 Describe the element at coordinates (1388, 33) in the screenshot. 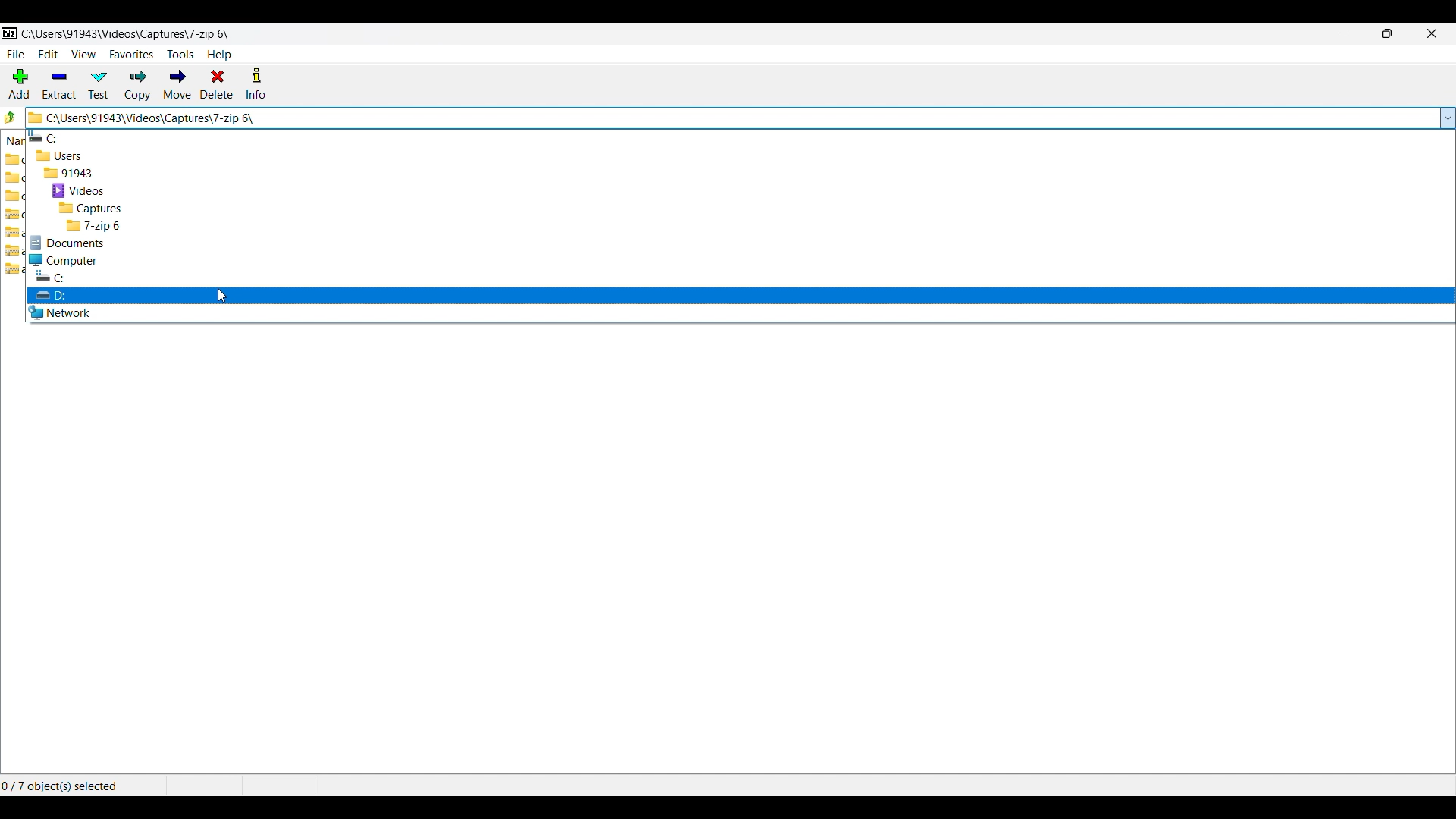

I see `Show interface in a smaller tab` at that location.